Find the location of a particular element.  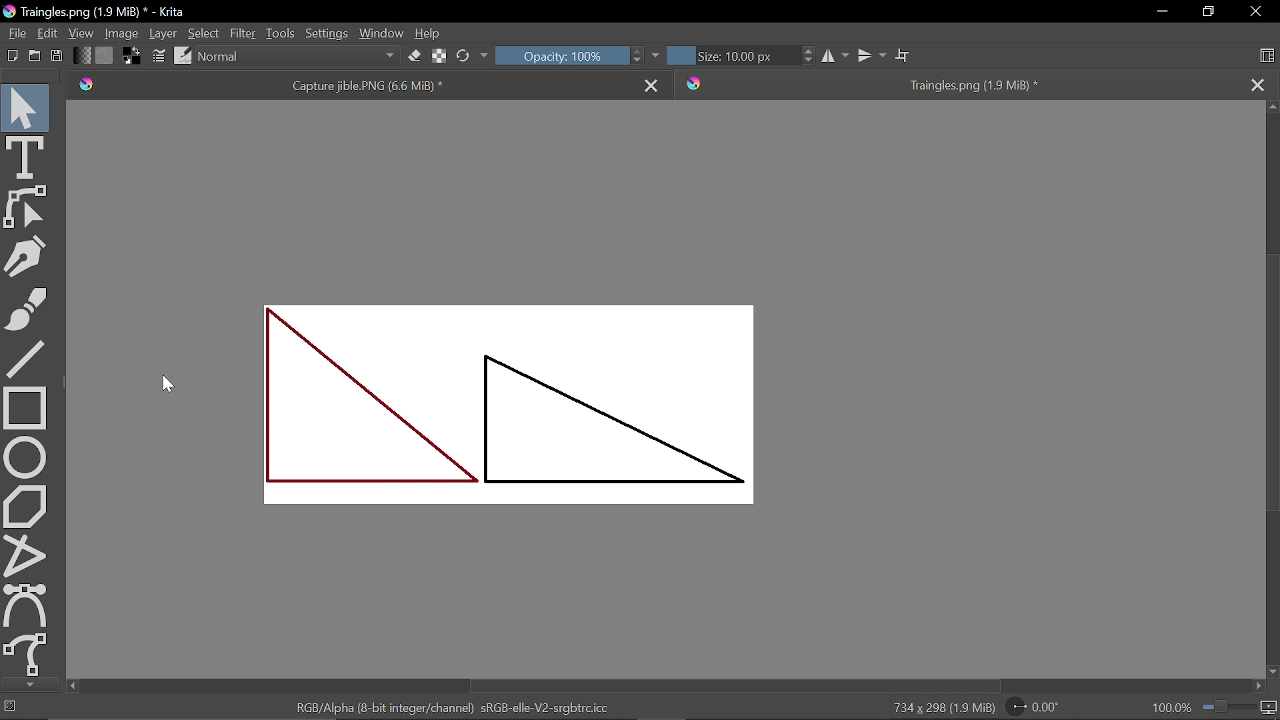

Two triangles is located at coordinates (510, 404).